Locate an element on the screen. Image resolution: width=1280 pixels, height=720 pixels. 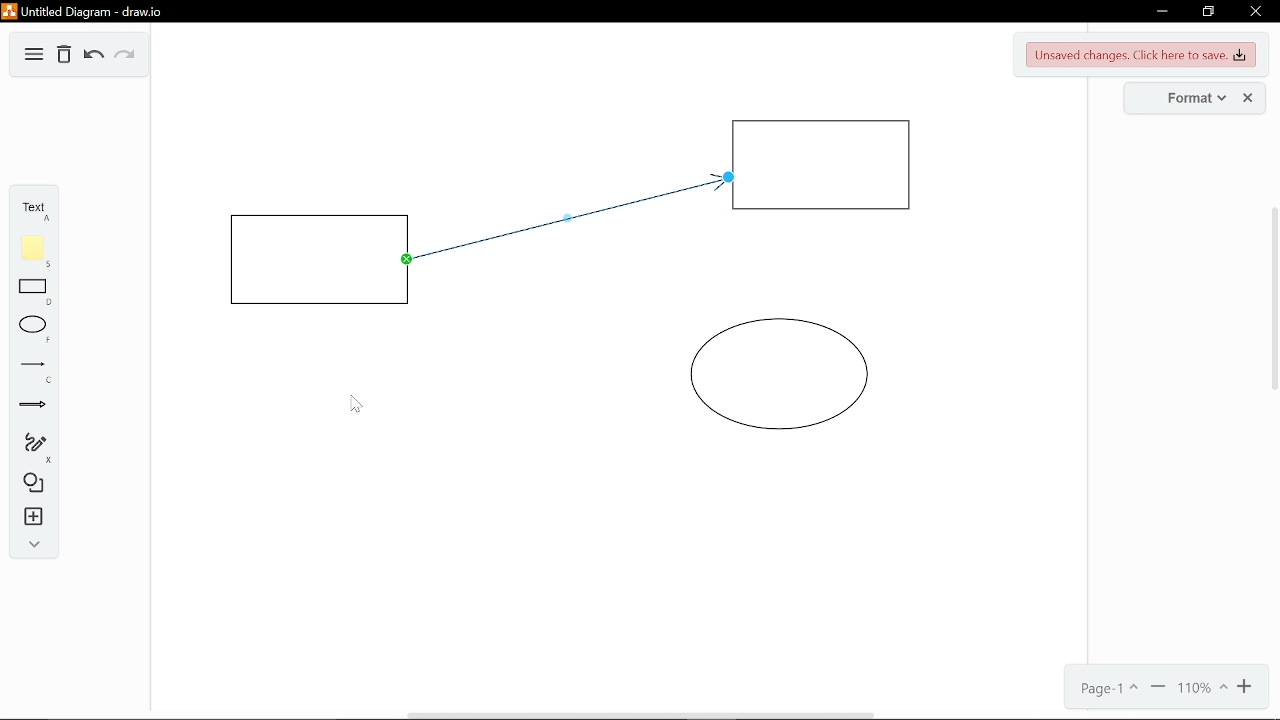
Arrow is located at coordinates (33, 406).